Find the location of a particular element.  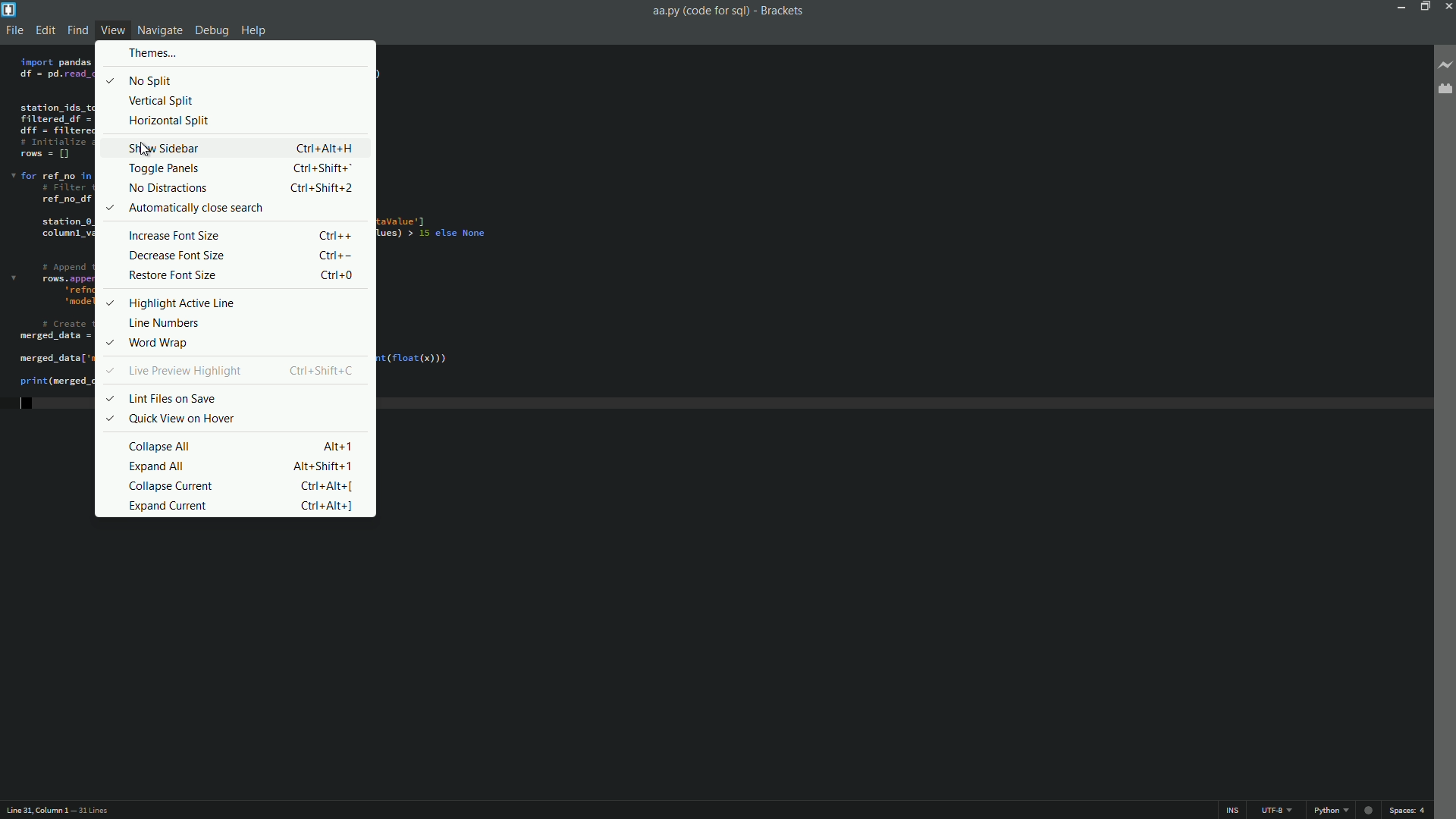

space is located at coordinates (1407, 810).